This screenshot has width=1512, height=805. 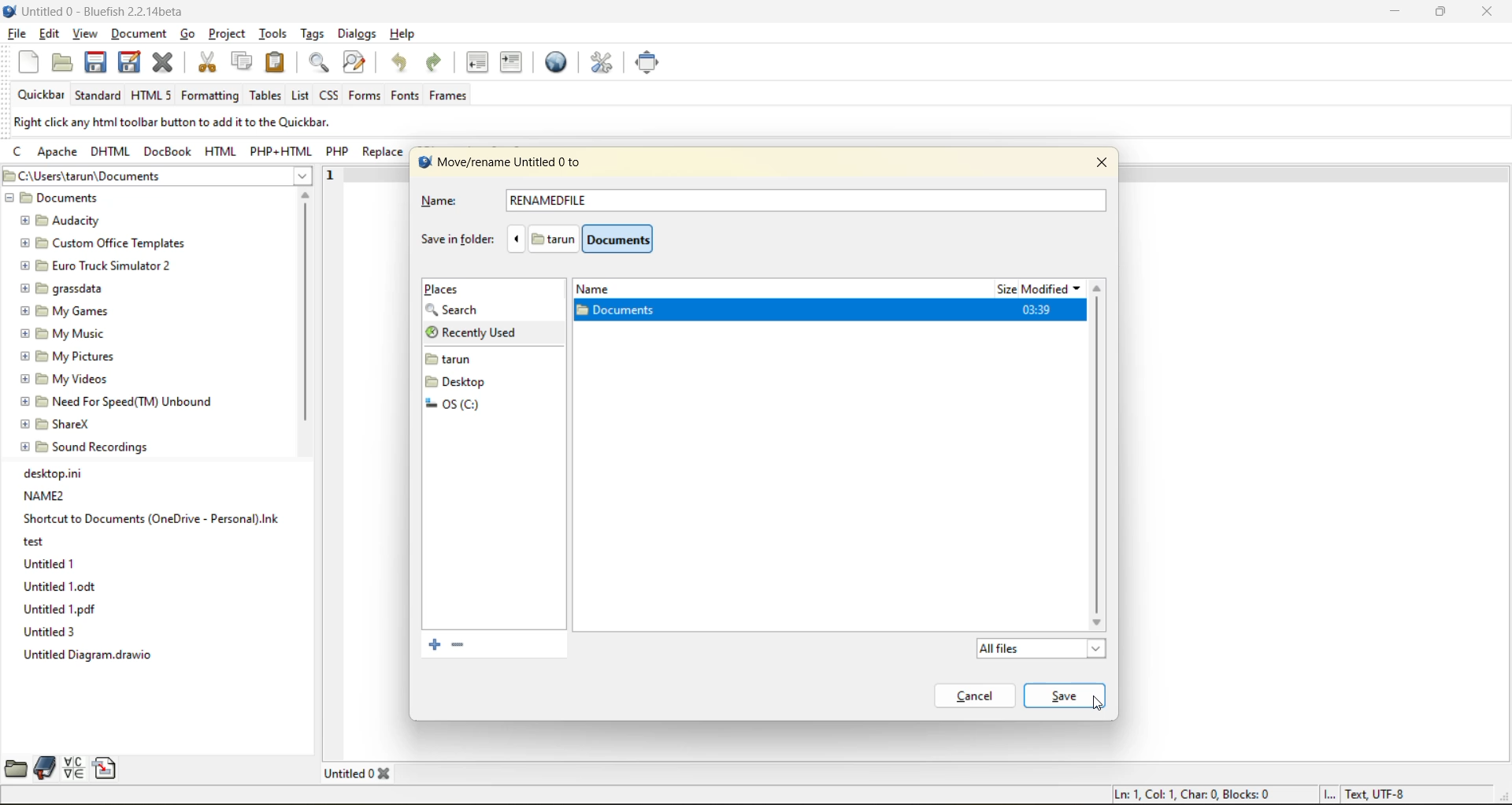 What do you see at coordinates (1054, 287) in the screenshot?
I see `modified date` at bounding box center [1054, 287].